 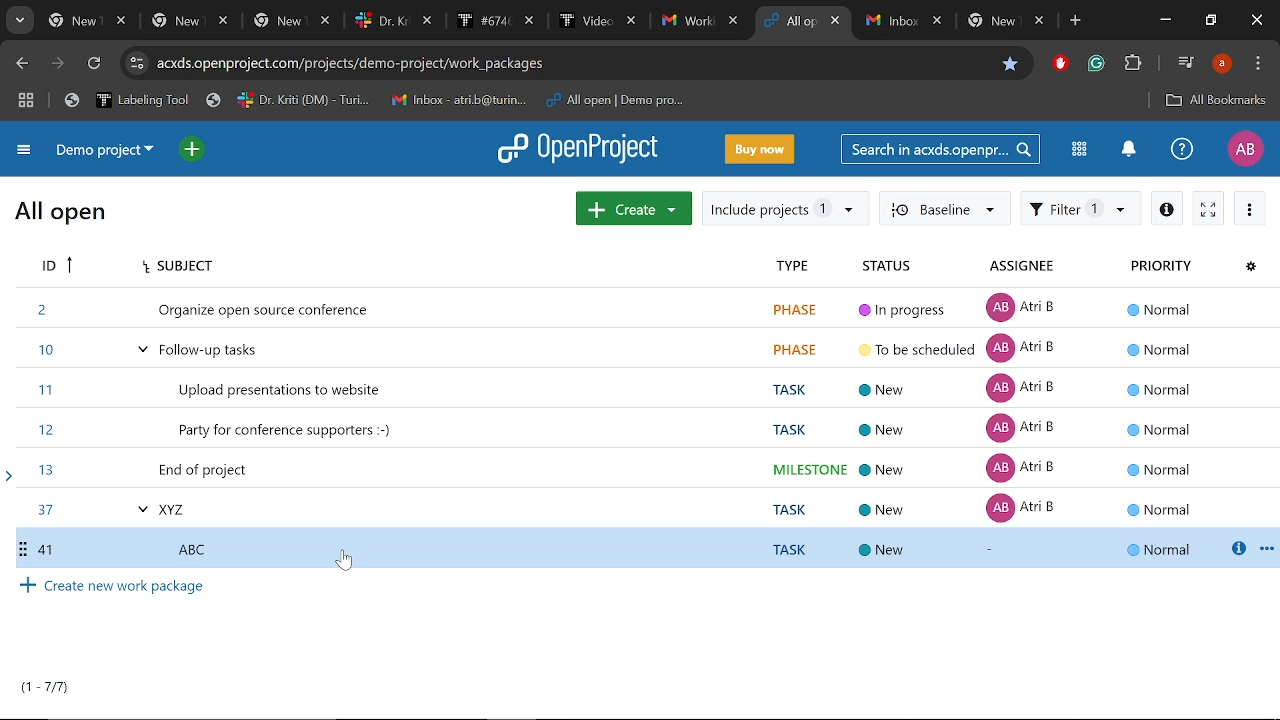 What do you see at coordinates (138, 62) in the screenshot?
I see `cite info` at bounding box center [138, 62].